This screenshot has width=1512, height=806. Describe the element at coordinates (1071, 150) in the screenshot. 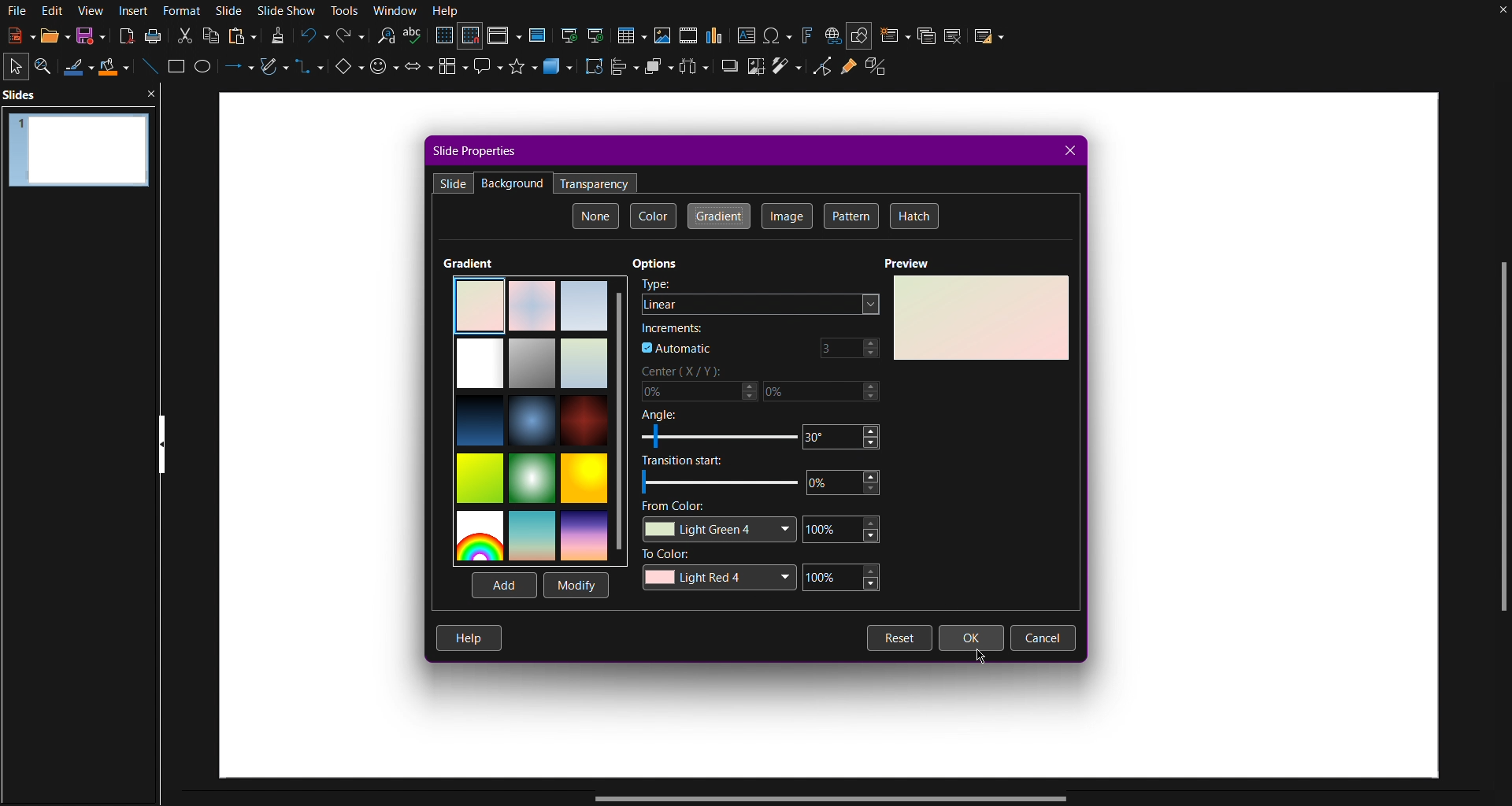

I see `Close` at that location.